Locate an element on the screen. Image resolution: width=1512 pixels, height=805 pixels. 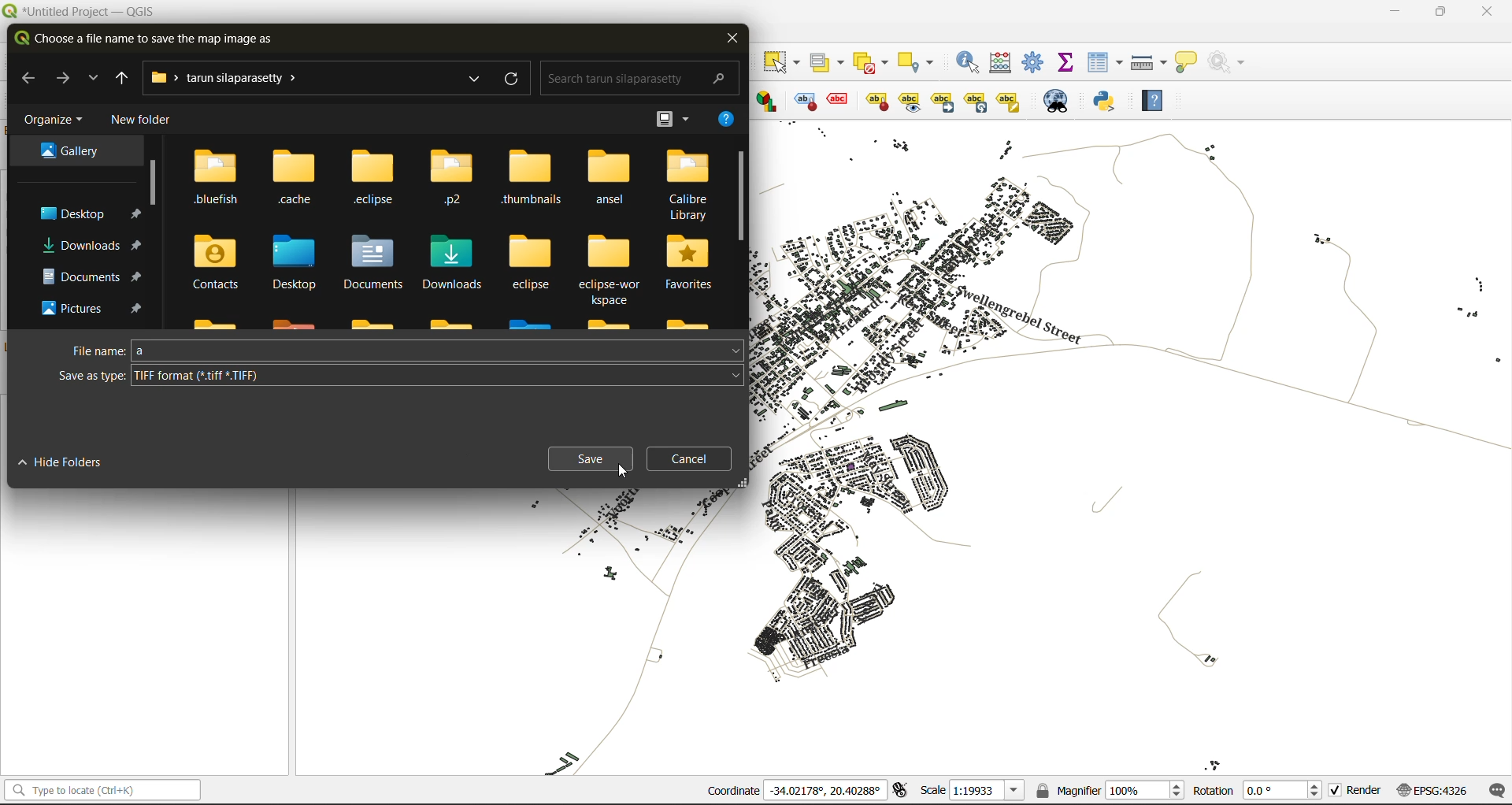
Move a label, diagrams or callout  is located at coordinates (910, 101).